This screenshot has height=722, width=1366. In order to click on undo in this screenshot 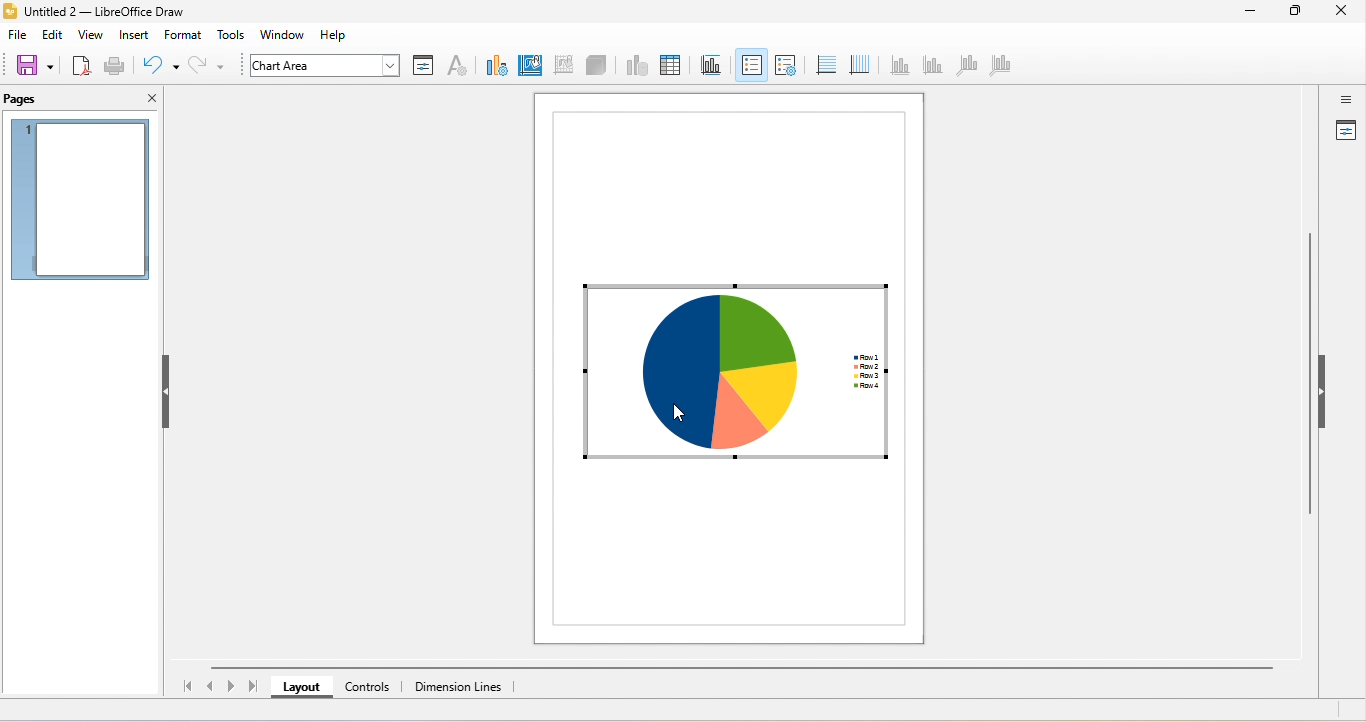, I will do `click(160, 65)`.